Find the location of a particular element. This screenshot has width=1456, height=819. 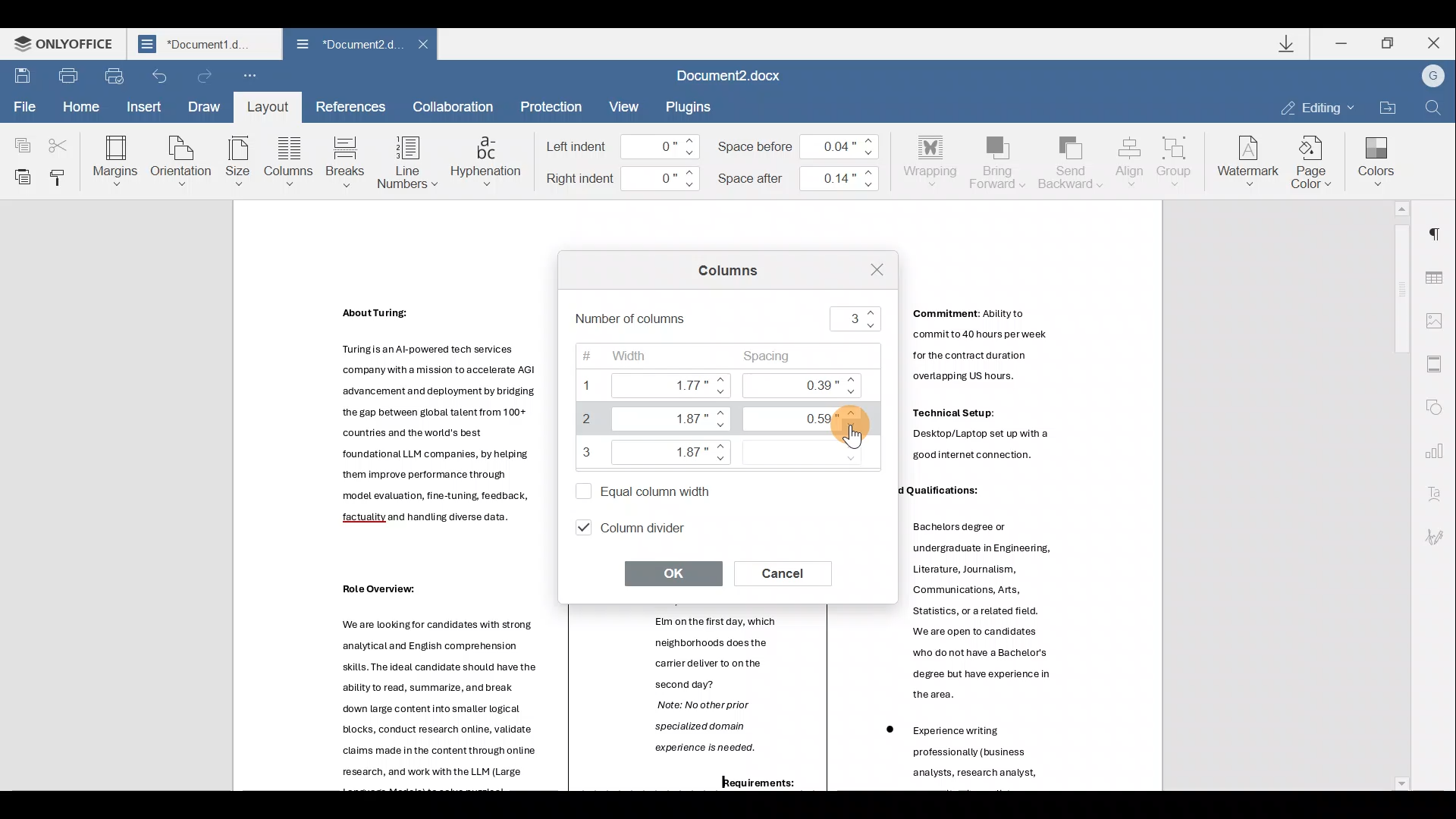

Send backward is located at coordinates (1068, 161).